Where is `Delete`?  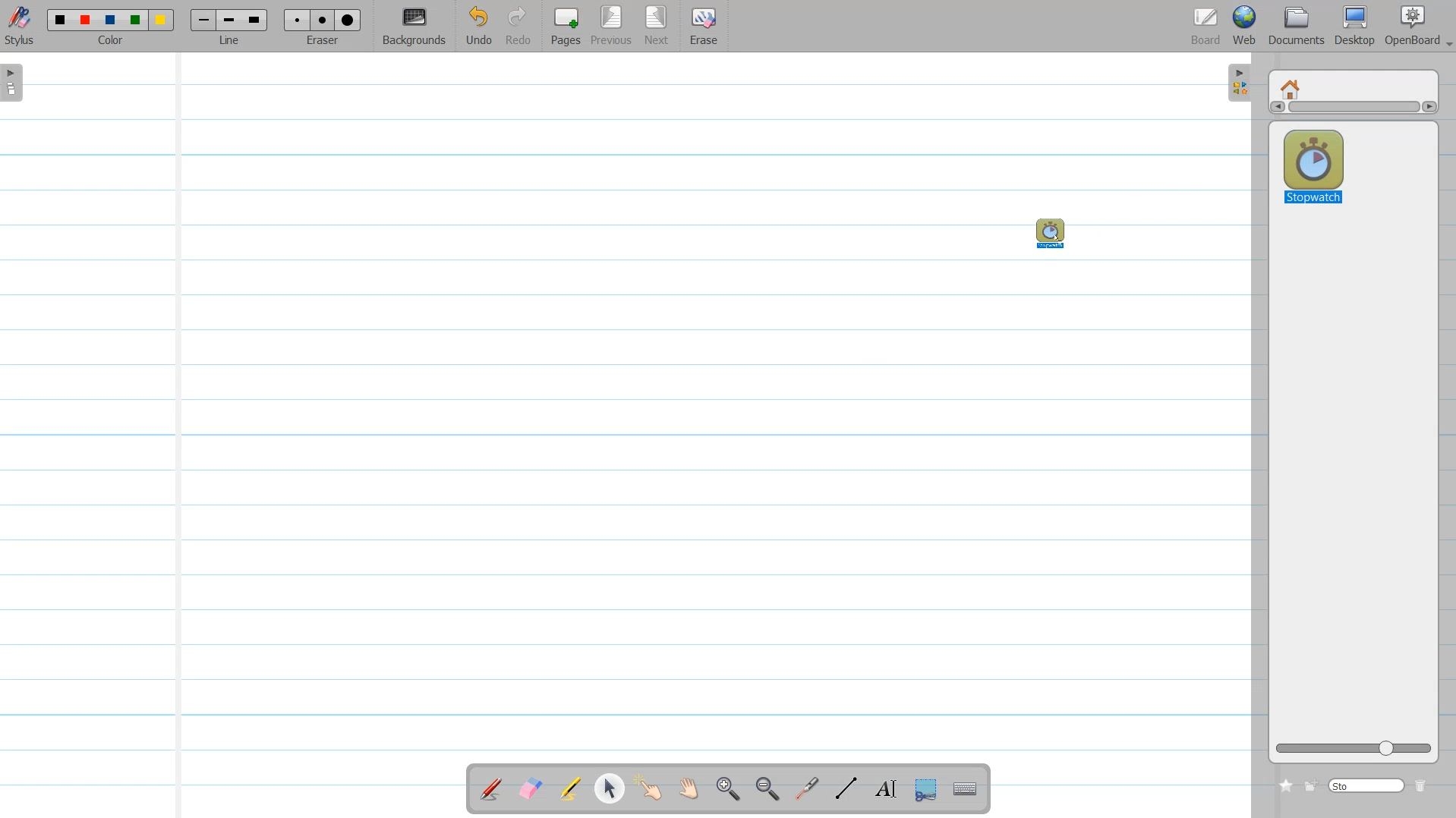 Delete is located at coordinates (1422, 785).